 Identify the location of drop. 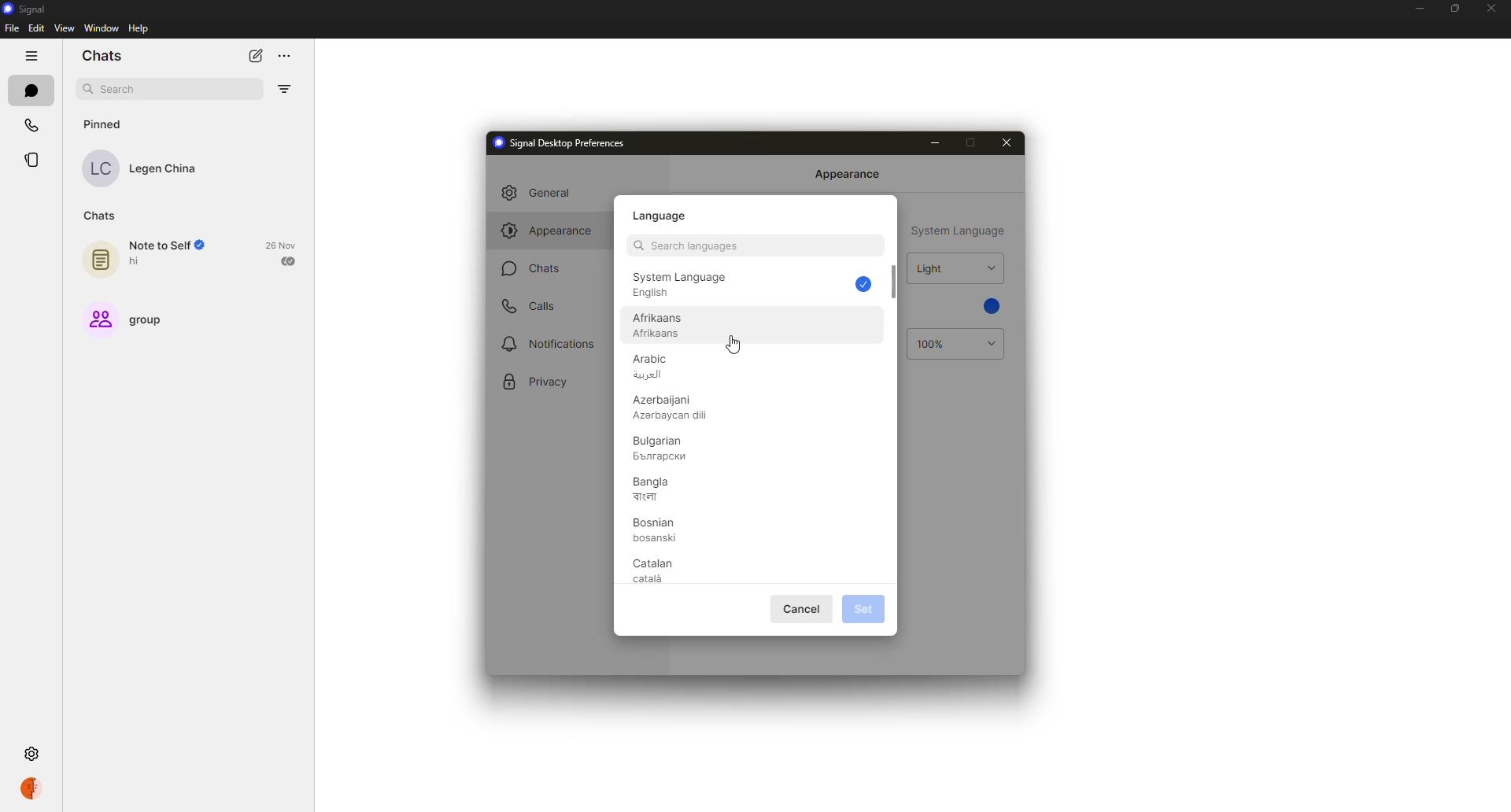
(989, 268).